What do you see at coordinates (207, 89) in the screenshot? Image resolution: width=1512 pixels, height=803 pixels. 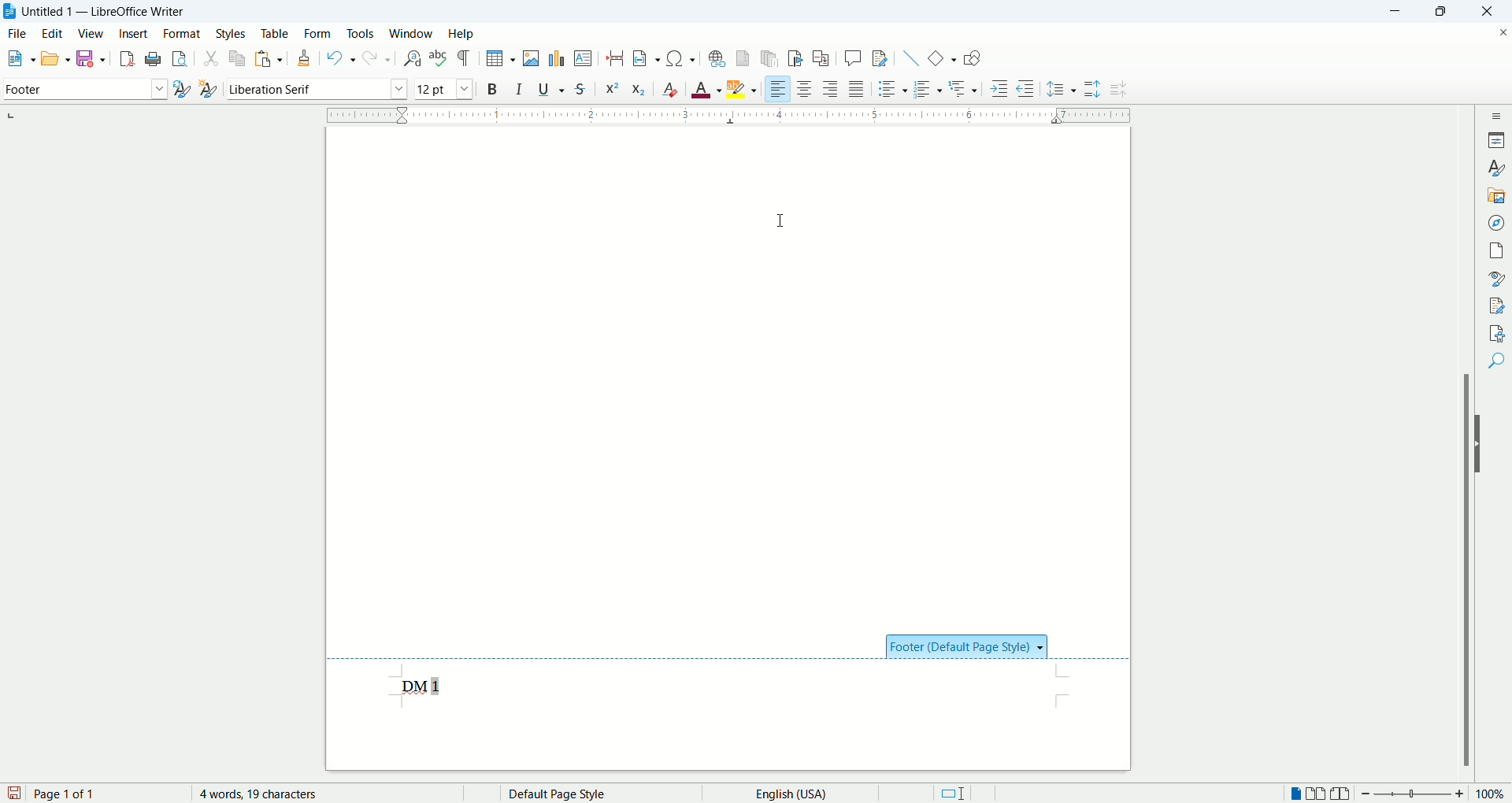 I see `new style` at bounding box center [207, 89].